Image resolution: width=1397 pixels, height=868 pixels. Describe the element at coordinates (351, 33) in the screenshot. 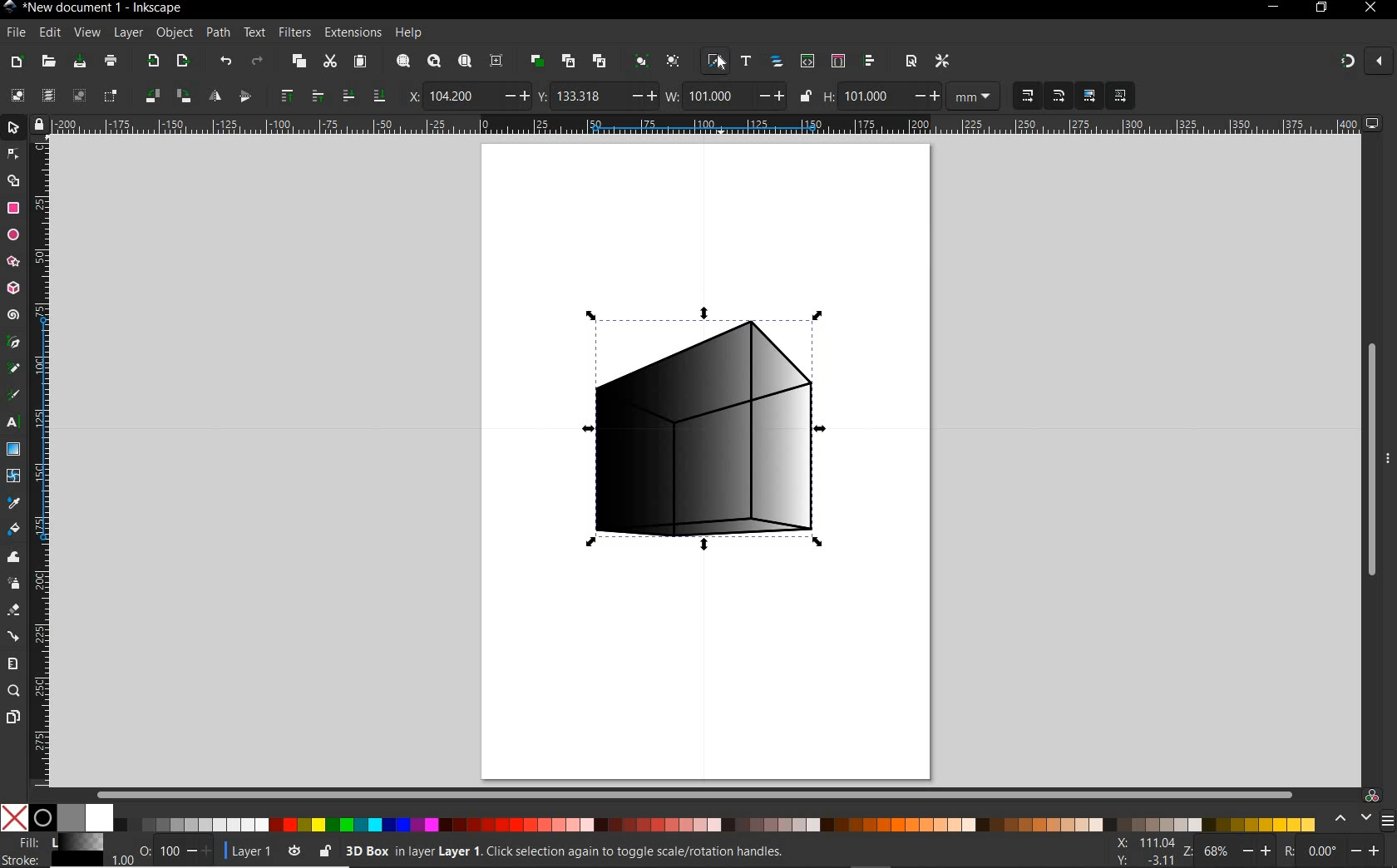

I see `EXTENSIONS` at that location.